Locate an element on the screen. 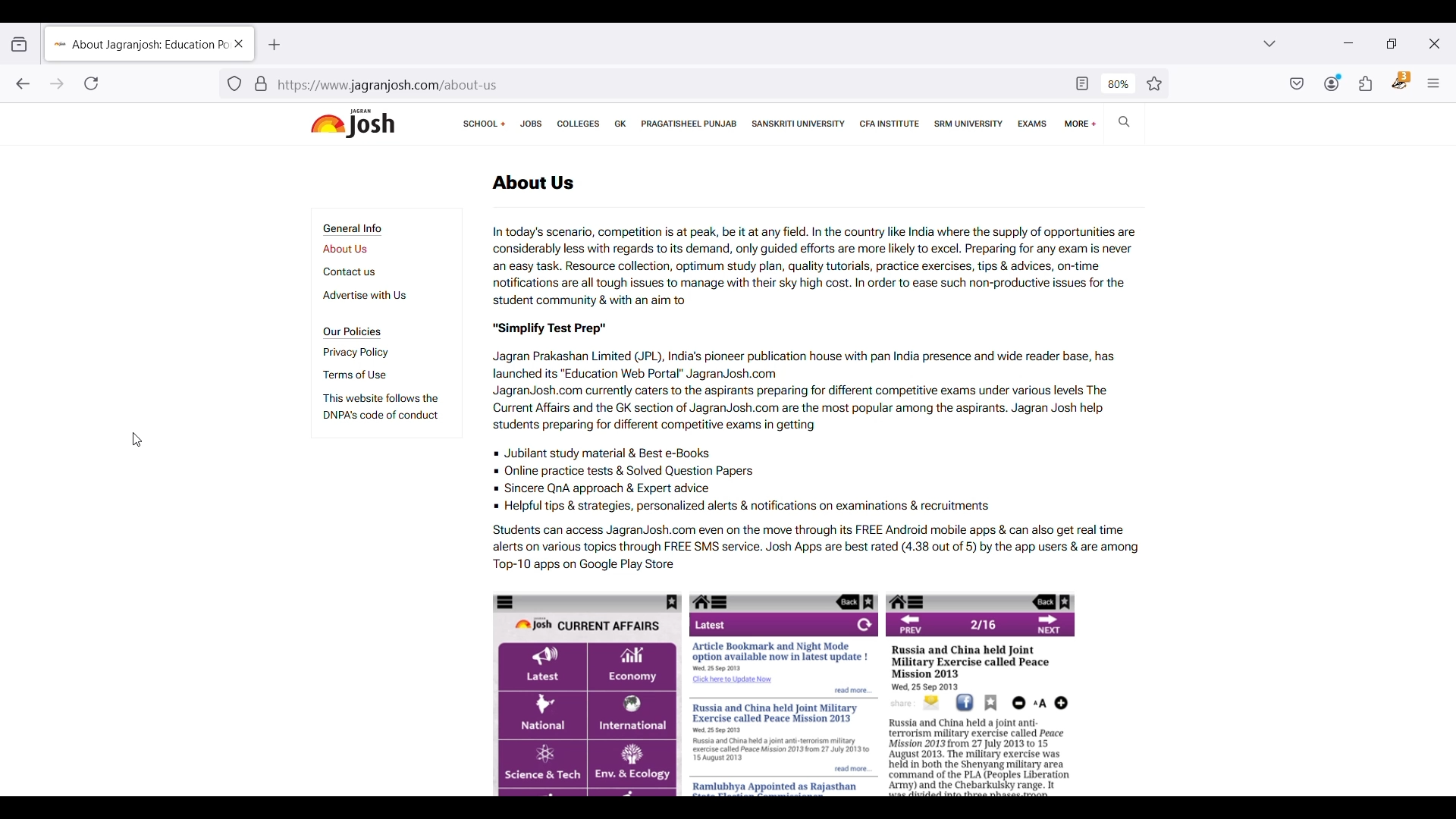 The width and height of the screenshot is (1456, 819). Privacy badger is located at coordinates (1401, 80).